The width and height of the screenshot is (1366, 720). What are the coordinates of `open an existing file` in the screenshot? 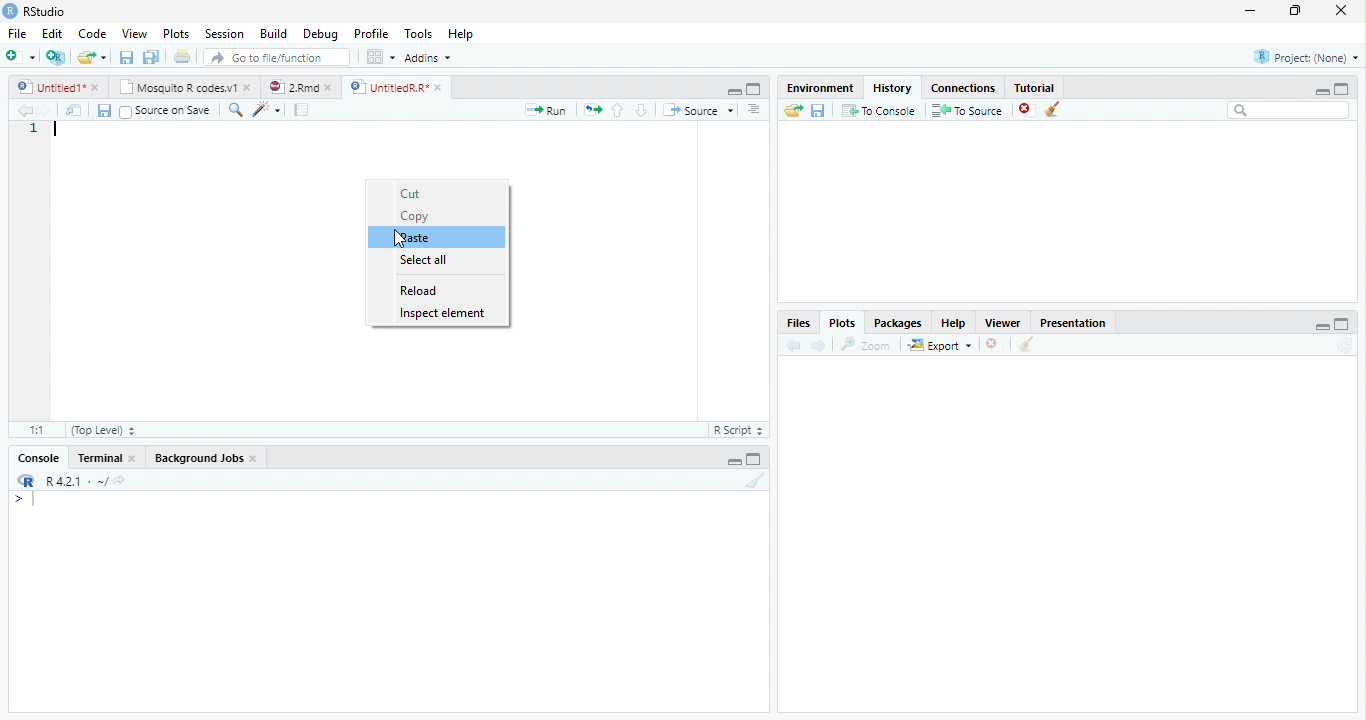 It's located at (90, 57).